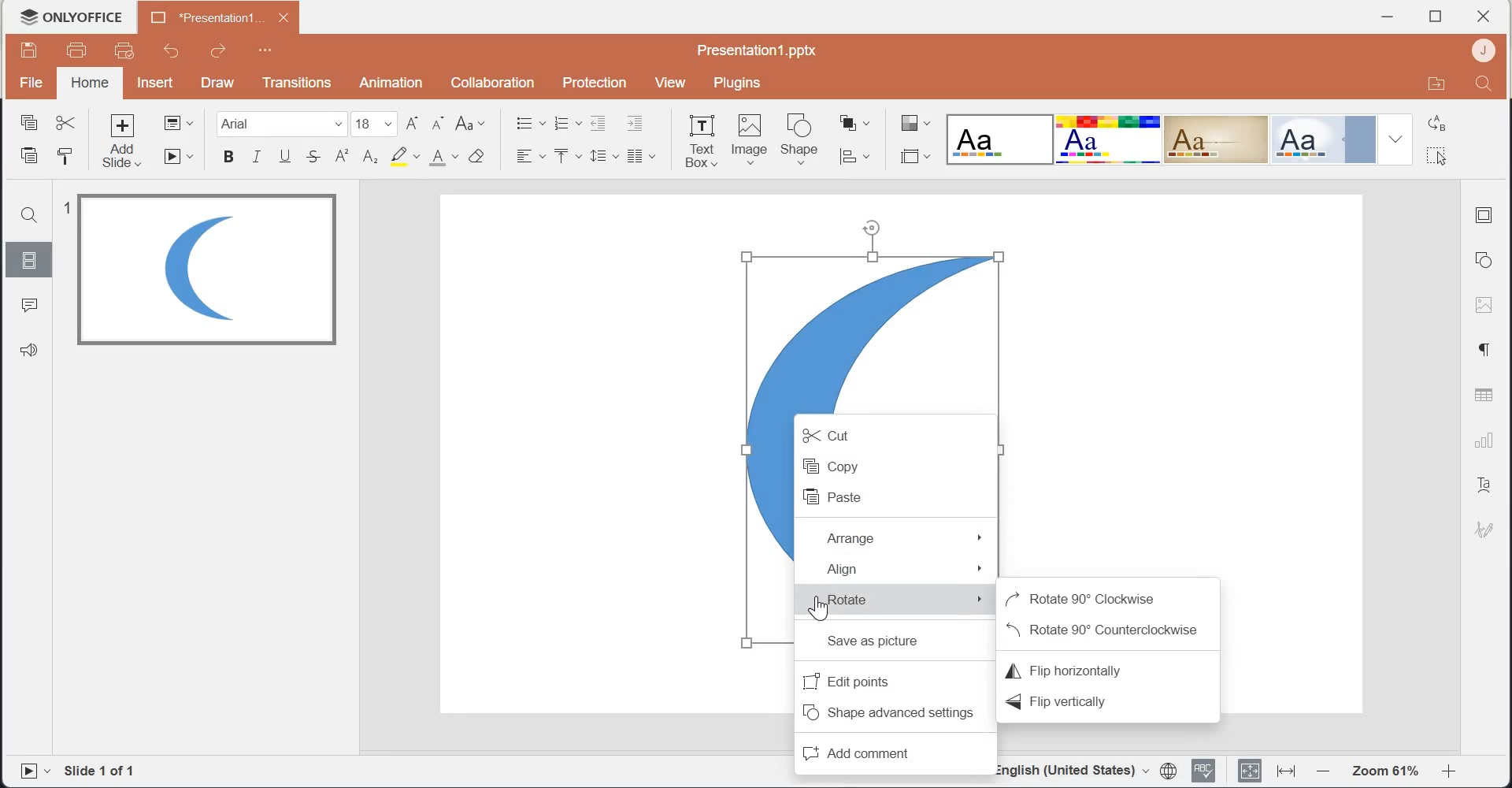  Describe the element at coordinates (79, 51) in the screenshot. I see `Print file` at that location.